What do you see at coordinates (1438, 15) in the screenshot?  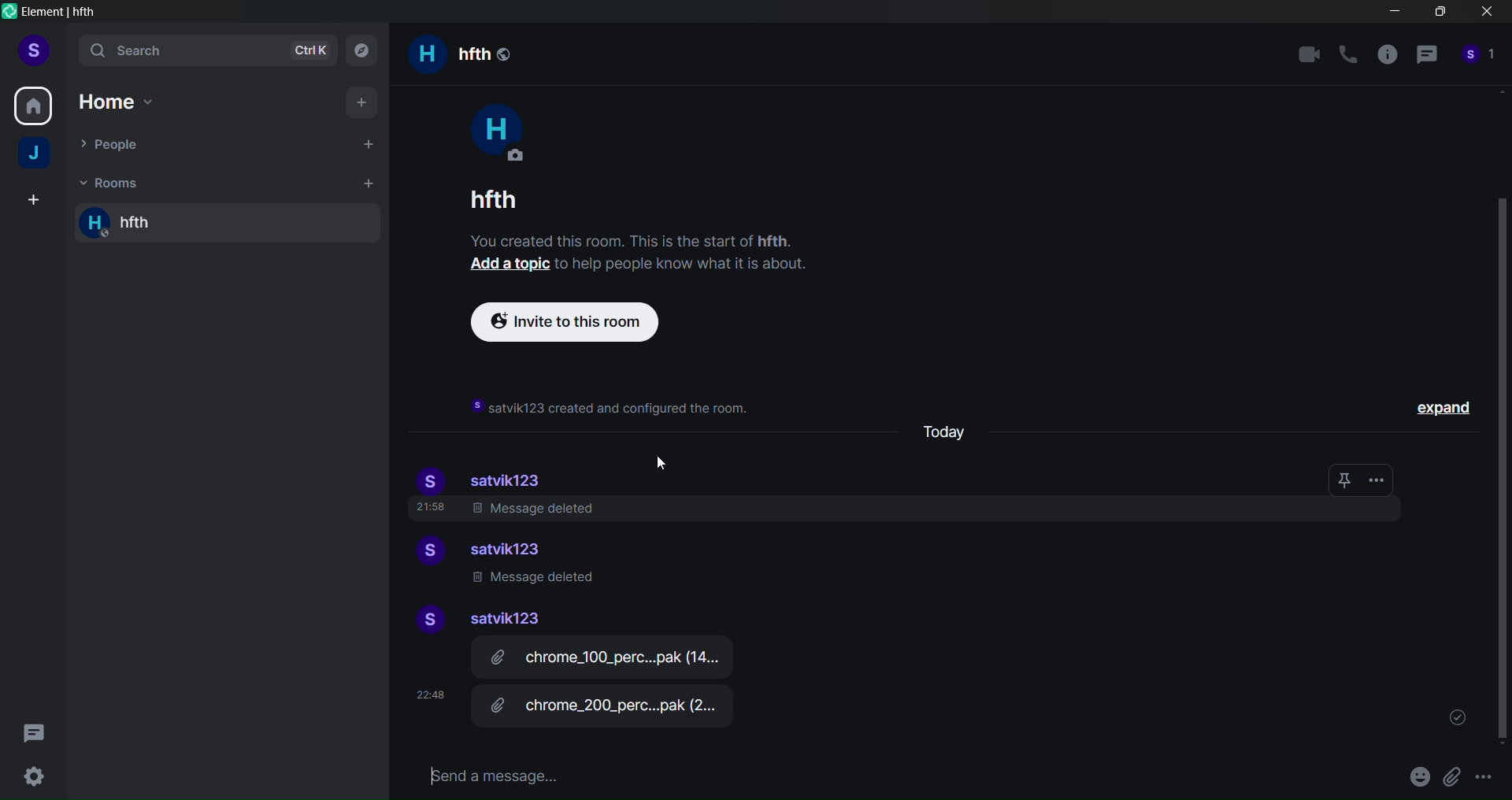 I see `maximize` at bounding box center [1438, 15].